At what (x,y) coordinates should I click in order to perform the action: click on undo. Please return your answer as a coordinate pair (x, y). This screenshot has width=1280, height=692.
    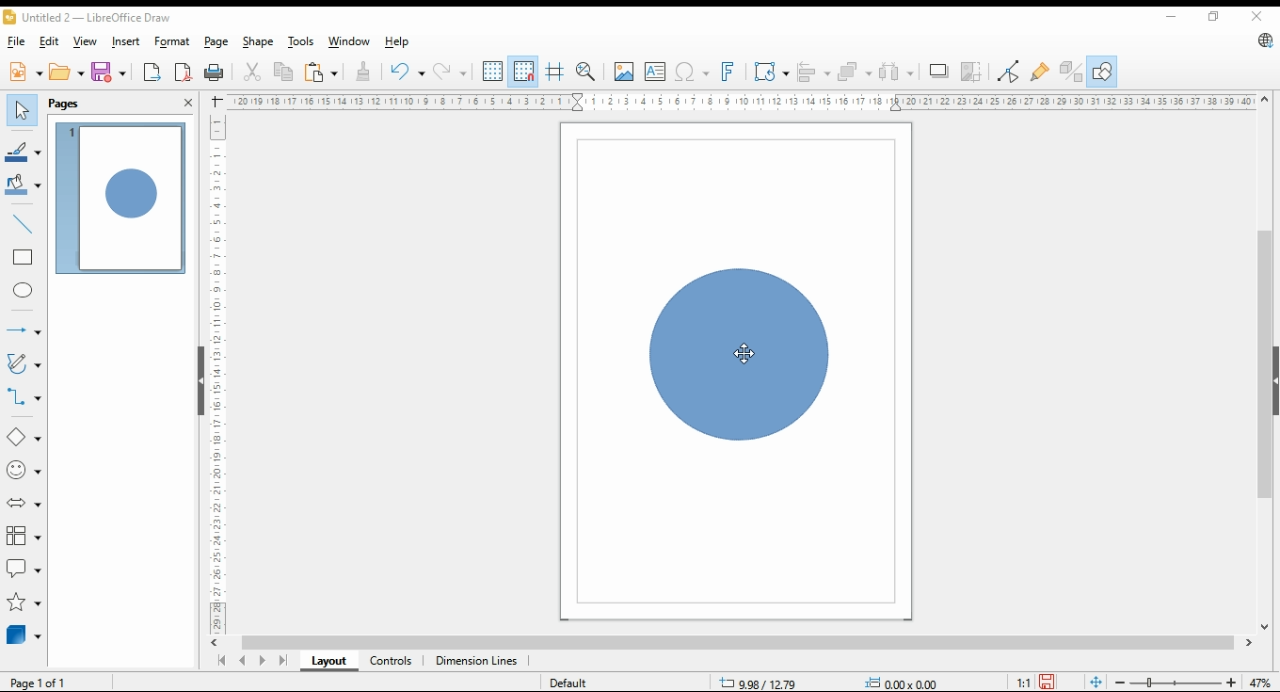
    Looking at the image, I should click on (407, 72).